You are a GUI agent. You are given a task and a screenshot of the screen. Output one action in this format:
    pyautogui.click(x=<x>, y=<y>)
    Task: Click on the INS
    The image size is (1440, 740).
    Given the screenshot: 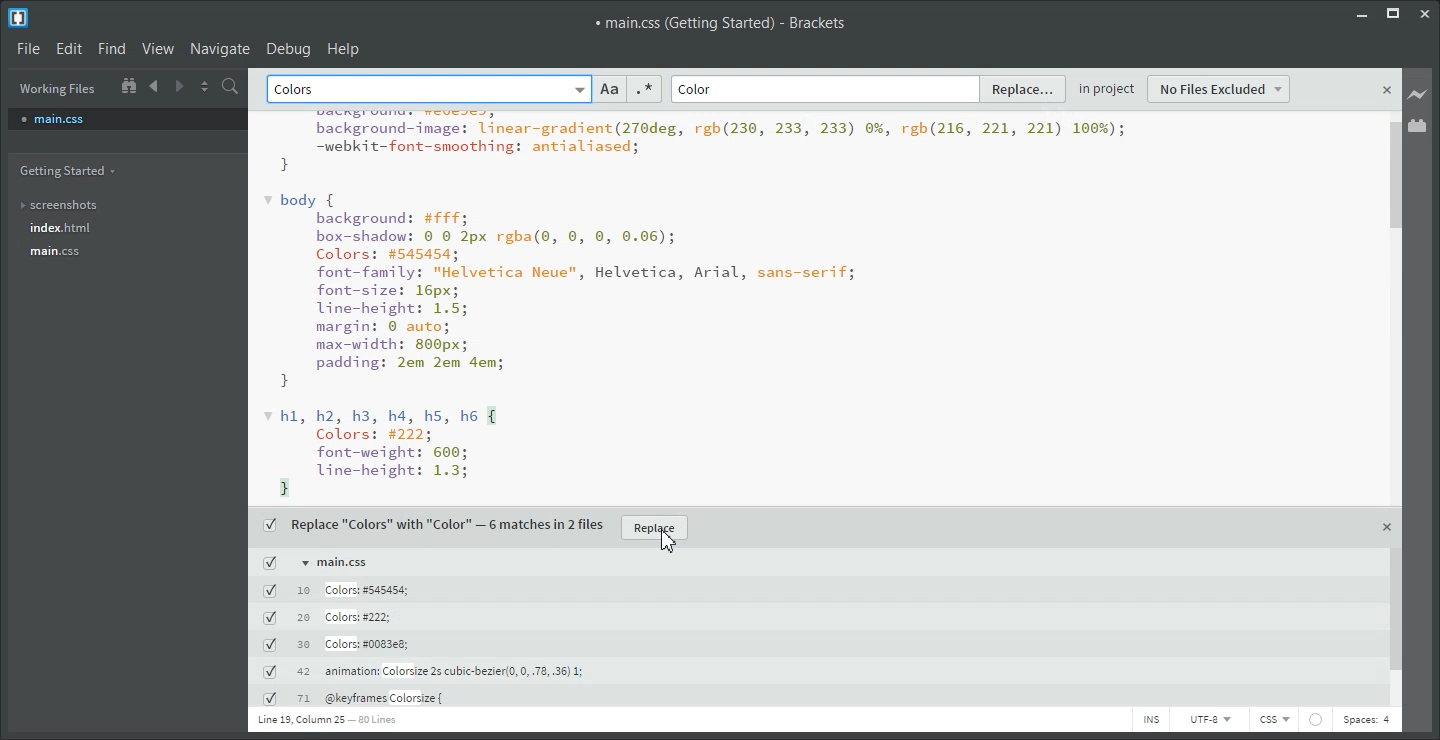 What is the action you would take?
    pyautogui.click(x=1150, y=719)
    